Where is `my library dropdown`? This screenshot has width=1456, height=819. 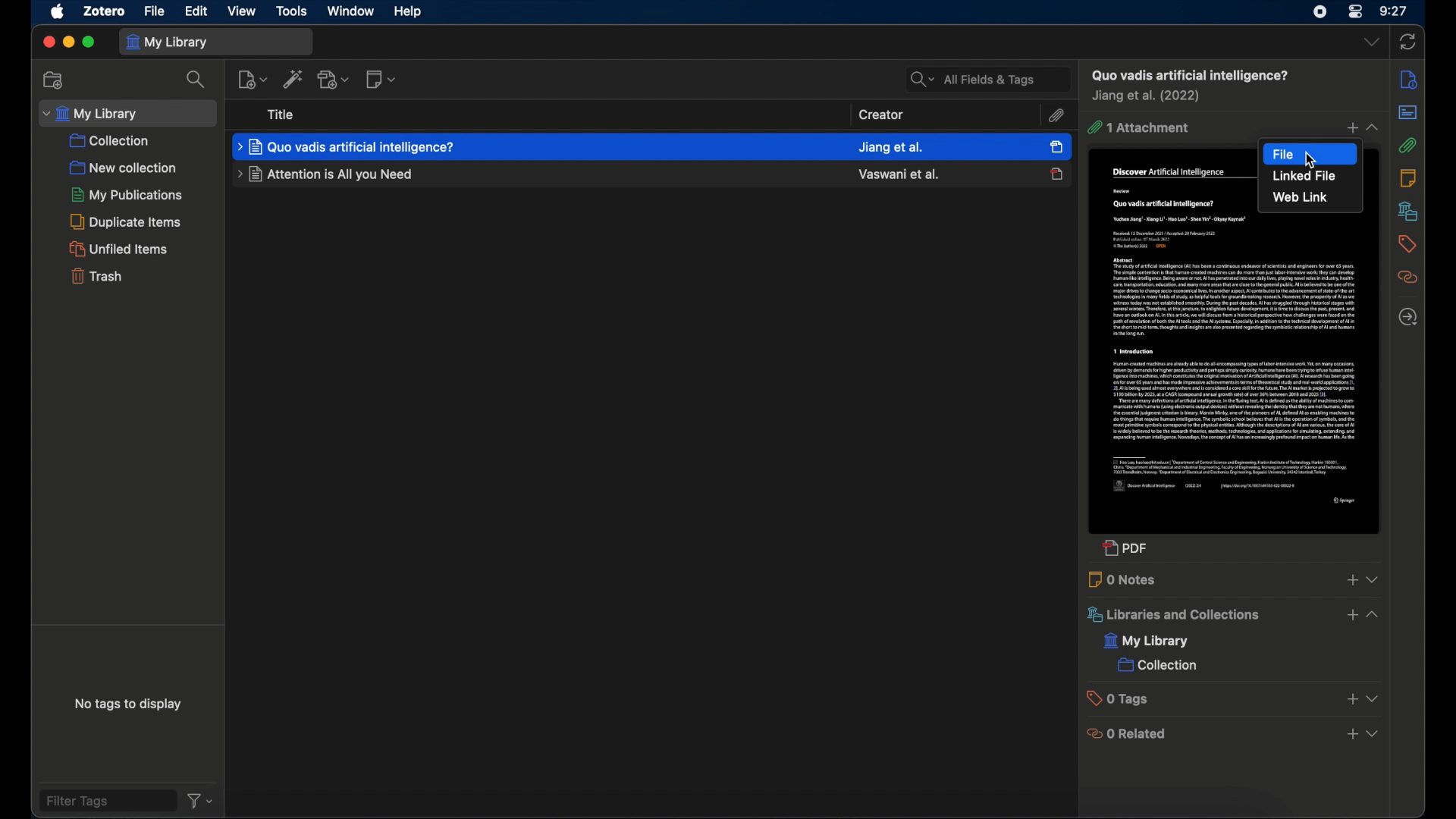 my library dropdown is located at coordinates (128, 113).